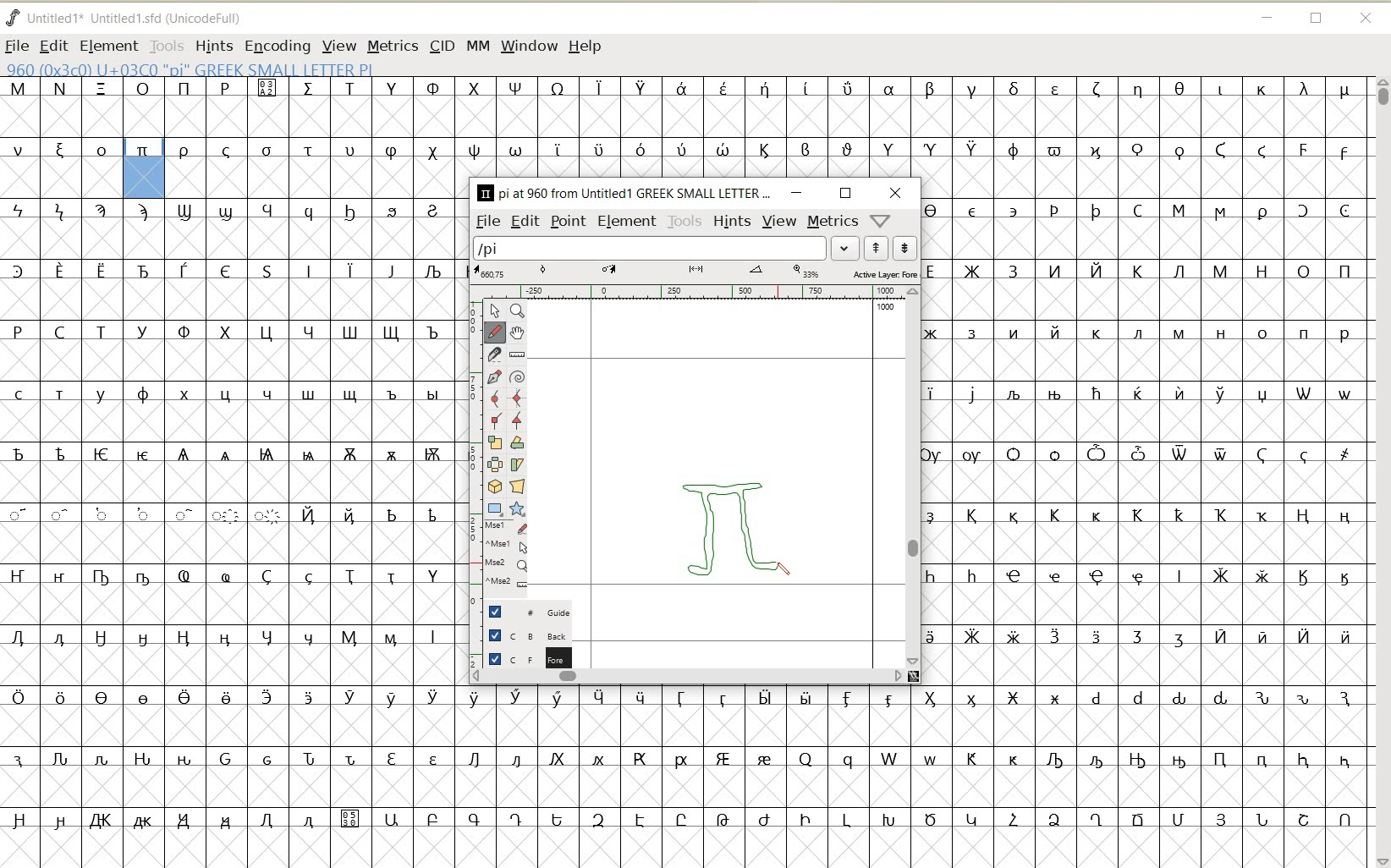  Describe the element at coordinates (1369, 19) in the screenshot. I see `CLOSE` at that location.